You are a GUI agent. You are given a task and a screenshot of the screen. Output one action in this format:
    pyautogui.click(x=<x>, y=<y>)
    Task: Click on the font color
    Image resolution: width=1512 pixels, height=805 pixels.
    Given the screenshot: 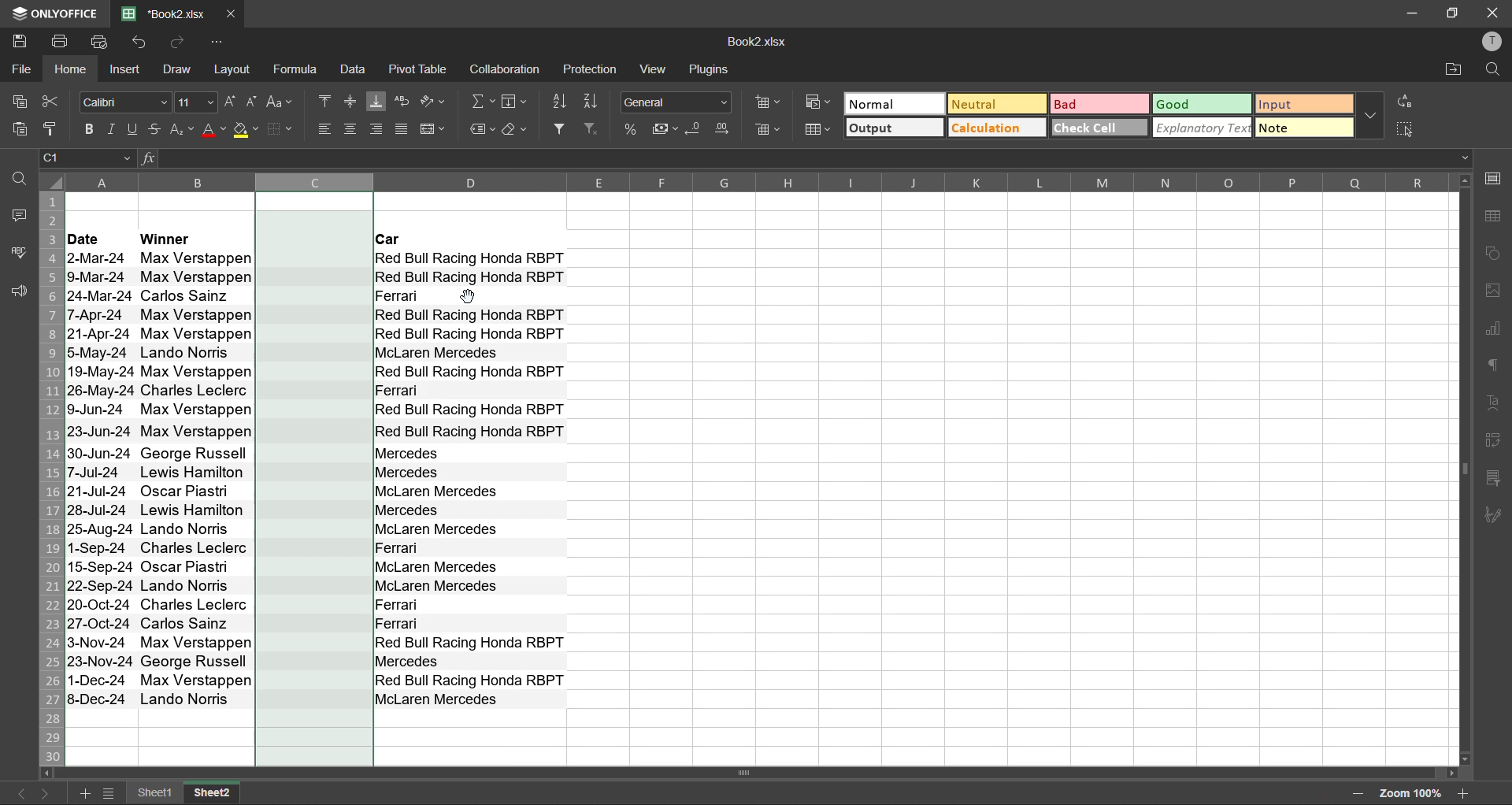 What is the action you would take?
    pyautogui.click(x=213, y=131)
    